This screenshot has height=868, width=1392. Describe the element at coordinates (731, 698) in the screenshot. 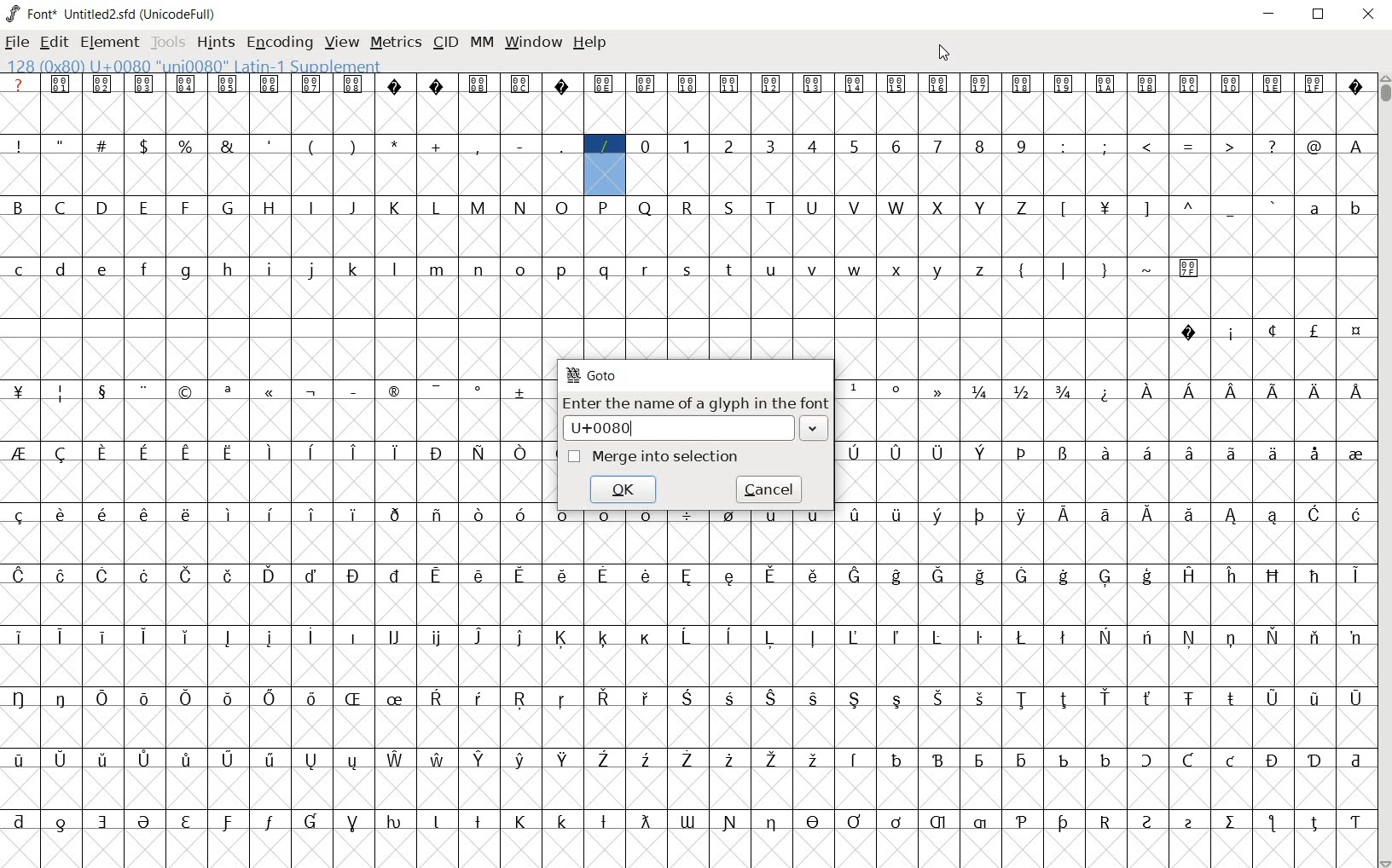

I see `glyph` at that location.